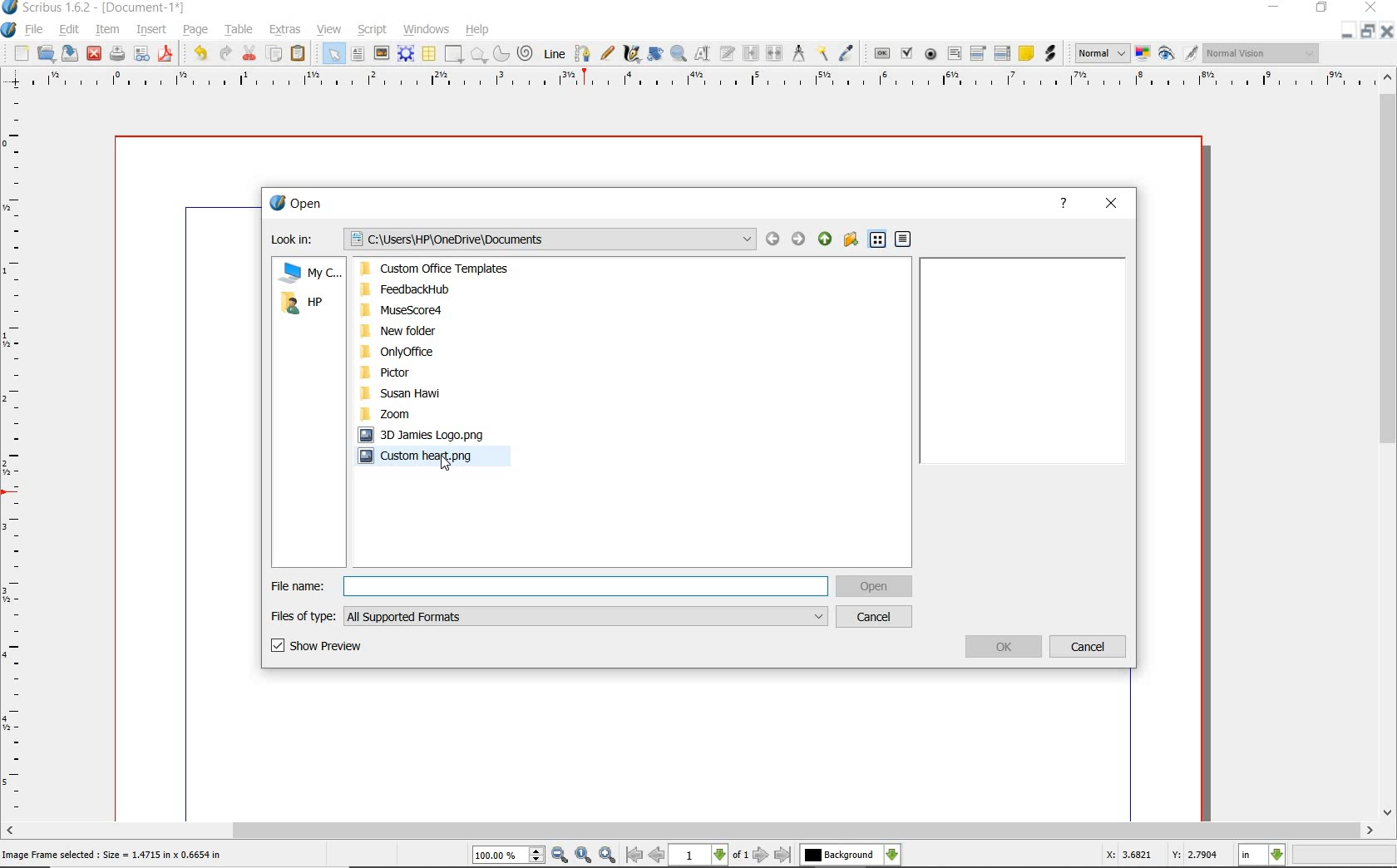 The height and width of the screenshot is (868, 1397). What do you see at coordinates (786, 242) in the screenshot?
I see `back or forward` at bounding box center [786, 242].